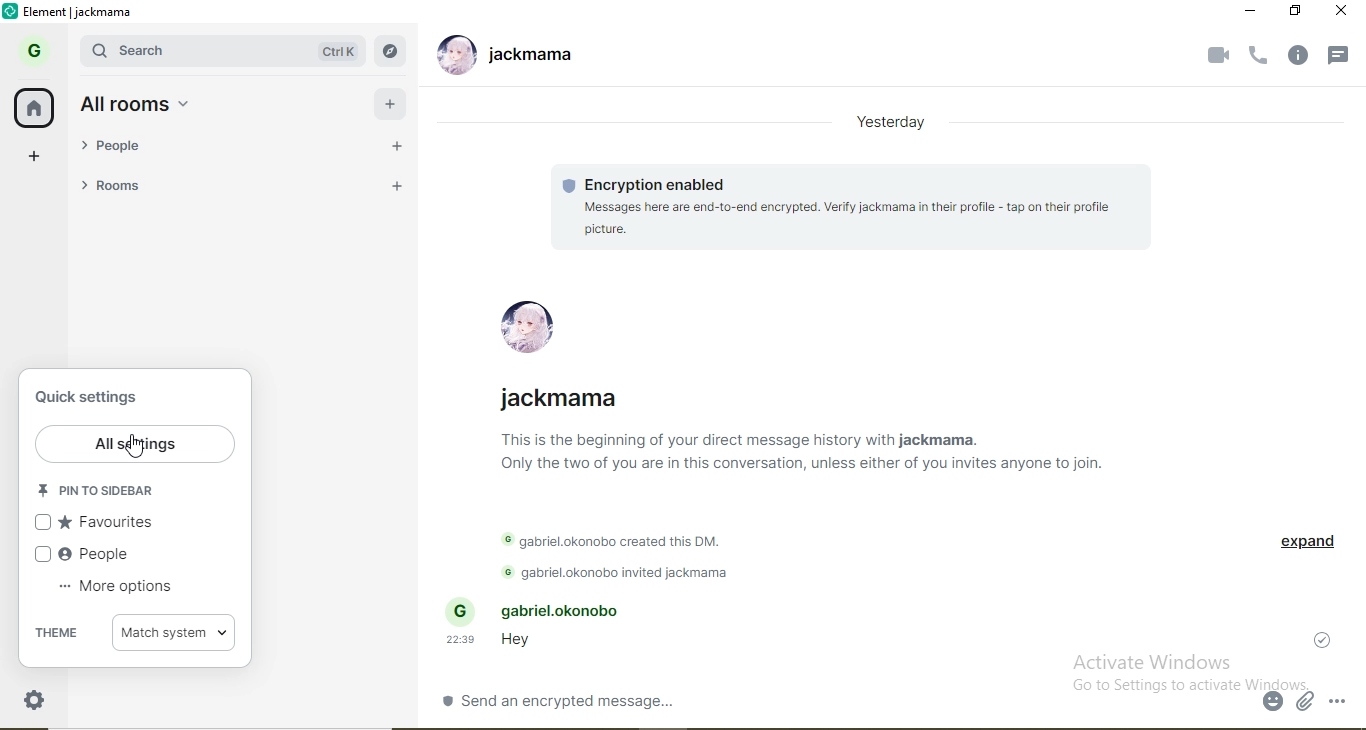 This screenshot has width=1366, height=730. Describe the element at coordinates (1217, 58) in the screenshot. I see `video call` at that location.